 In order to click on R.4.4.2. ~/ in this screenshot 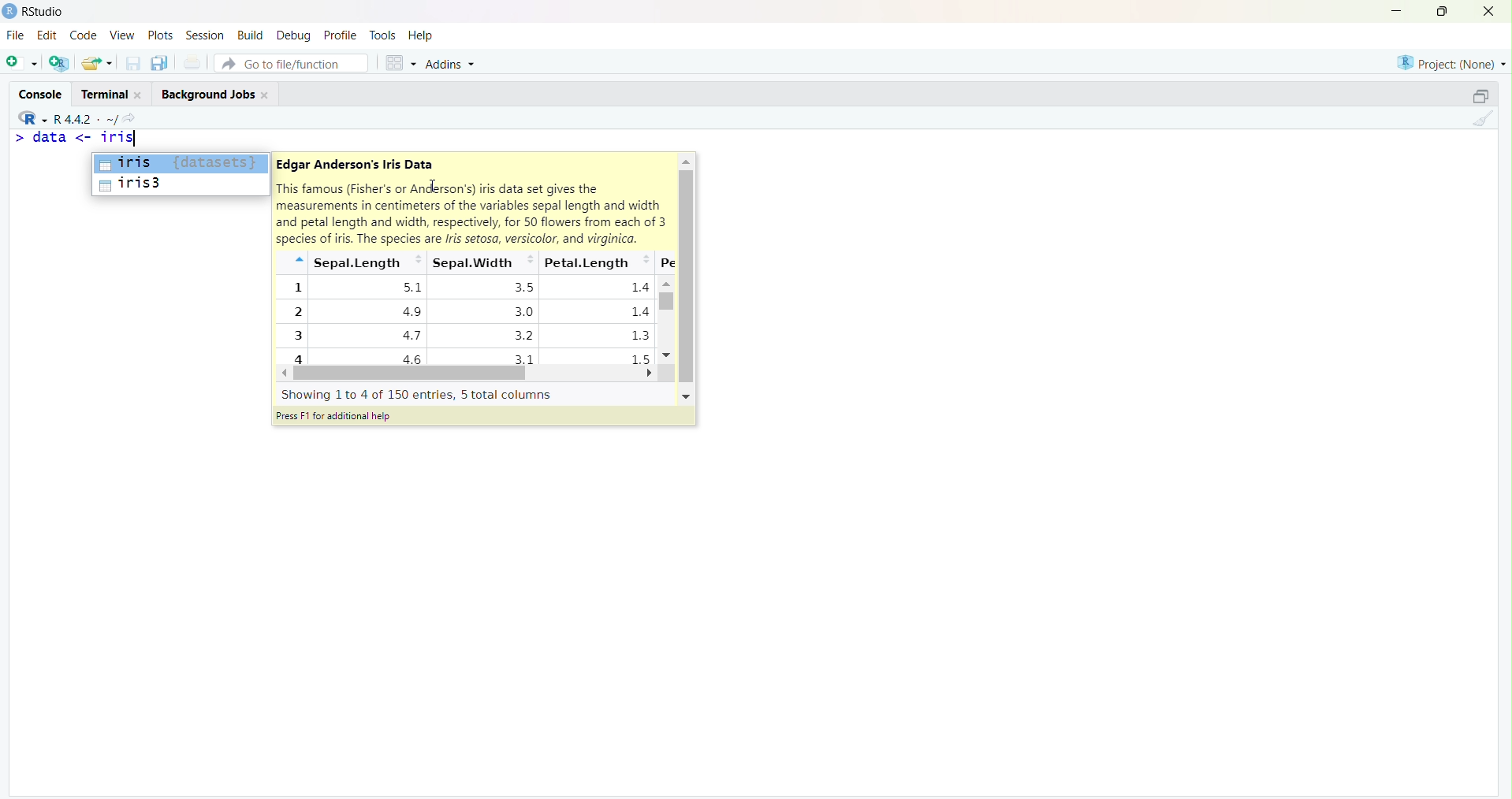, I will do `click(87, 117)`.